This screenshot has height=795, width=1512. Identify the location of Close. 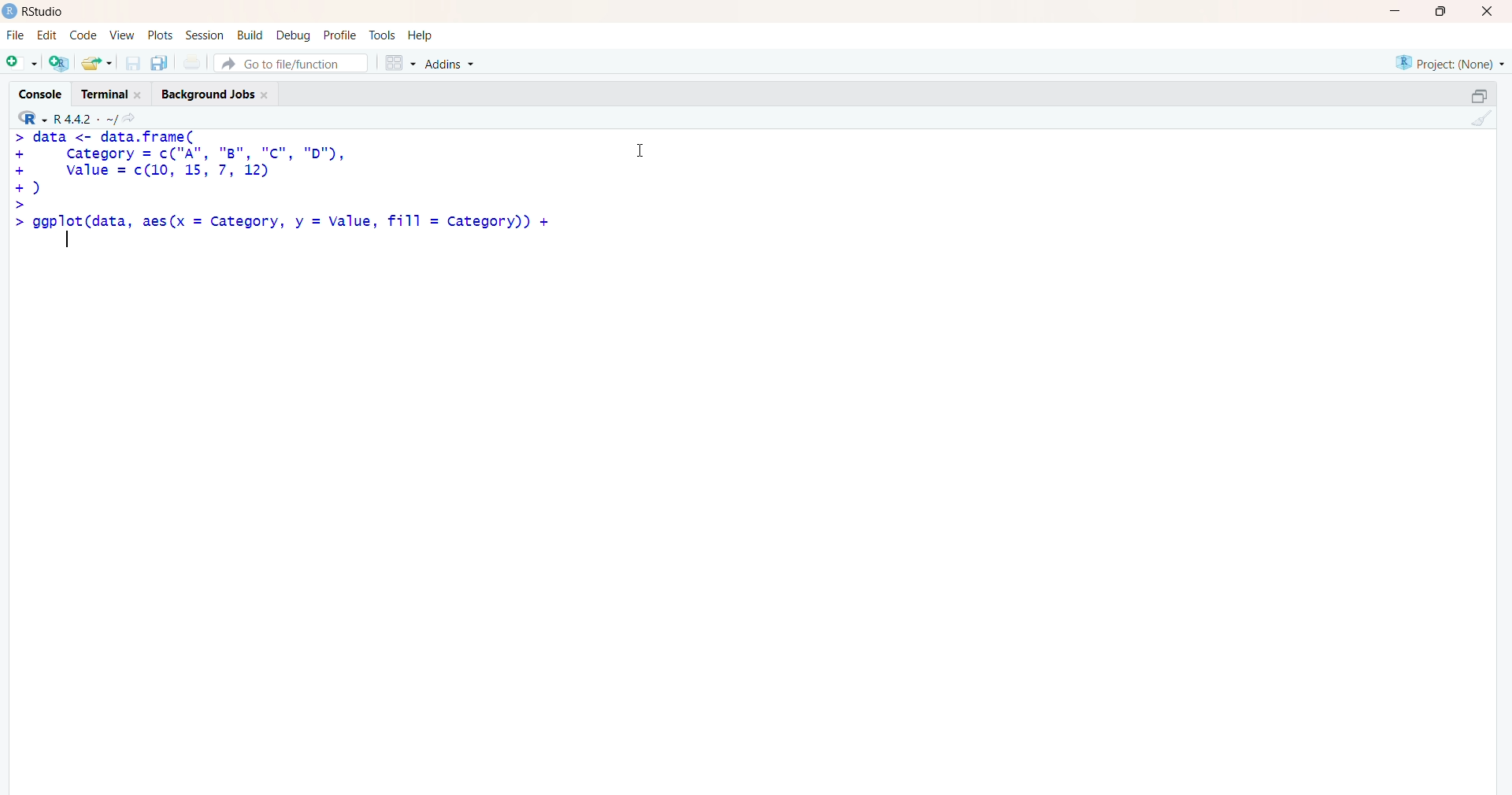
(1484, 11).